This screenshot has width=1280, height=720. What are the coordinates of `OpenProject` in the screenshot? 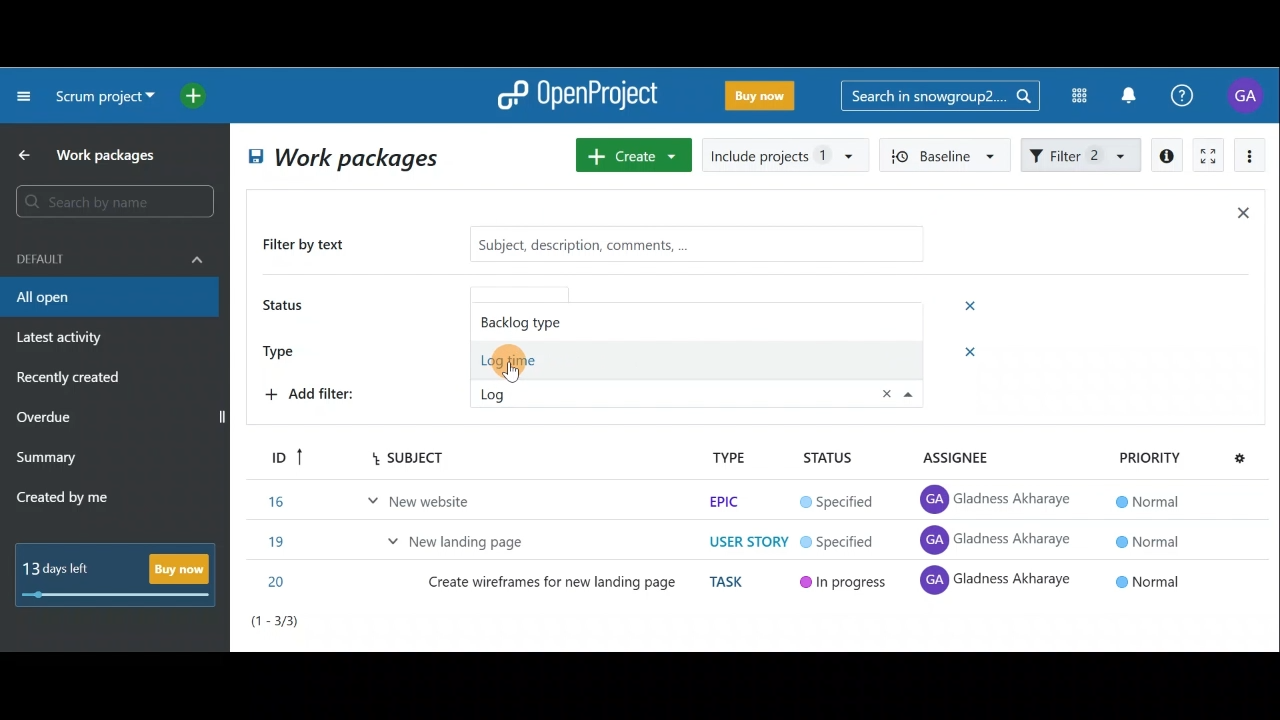 It's located at (577, 97).